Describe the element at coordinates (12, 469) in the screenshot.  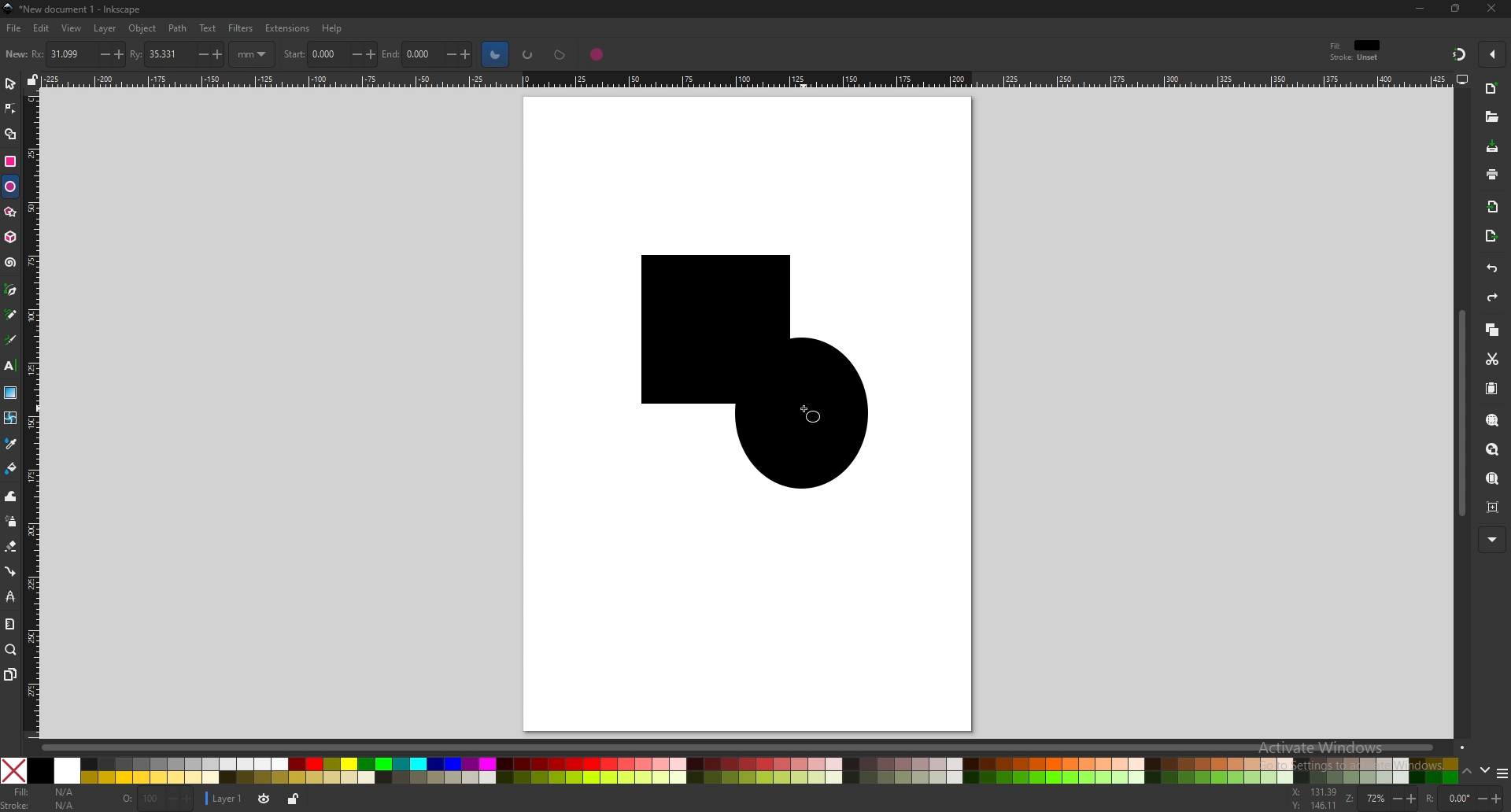
I see `paint bucket` at that location.